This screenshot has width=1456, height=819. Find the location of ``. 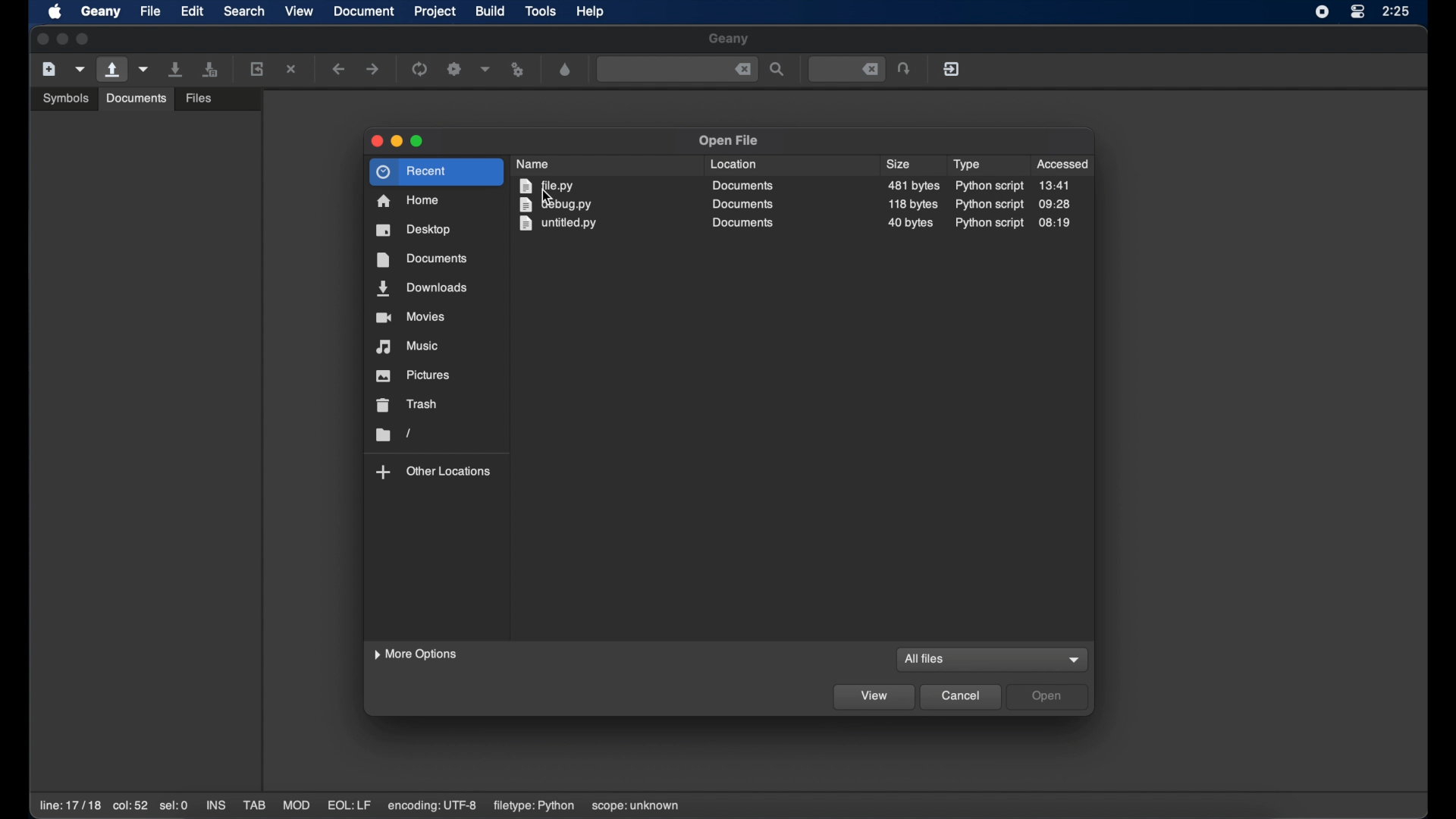

 is located at coordinates (61, 100).